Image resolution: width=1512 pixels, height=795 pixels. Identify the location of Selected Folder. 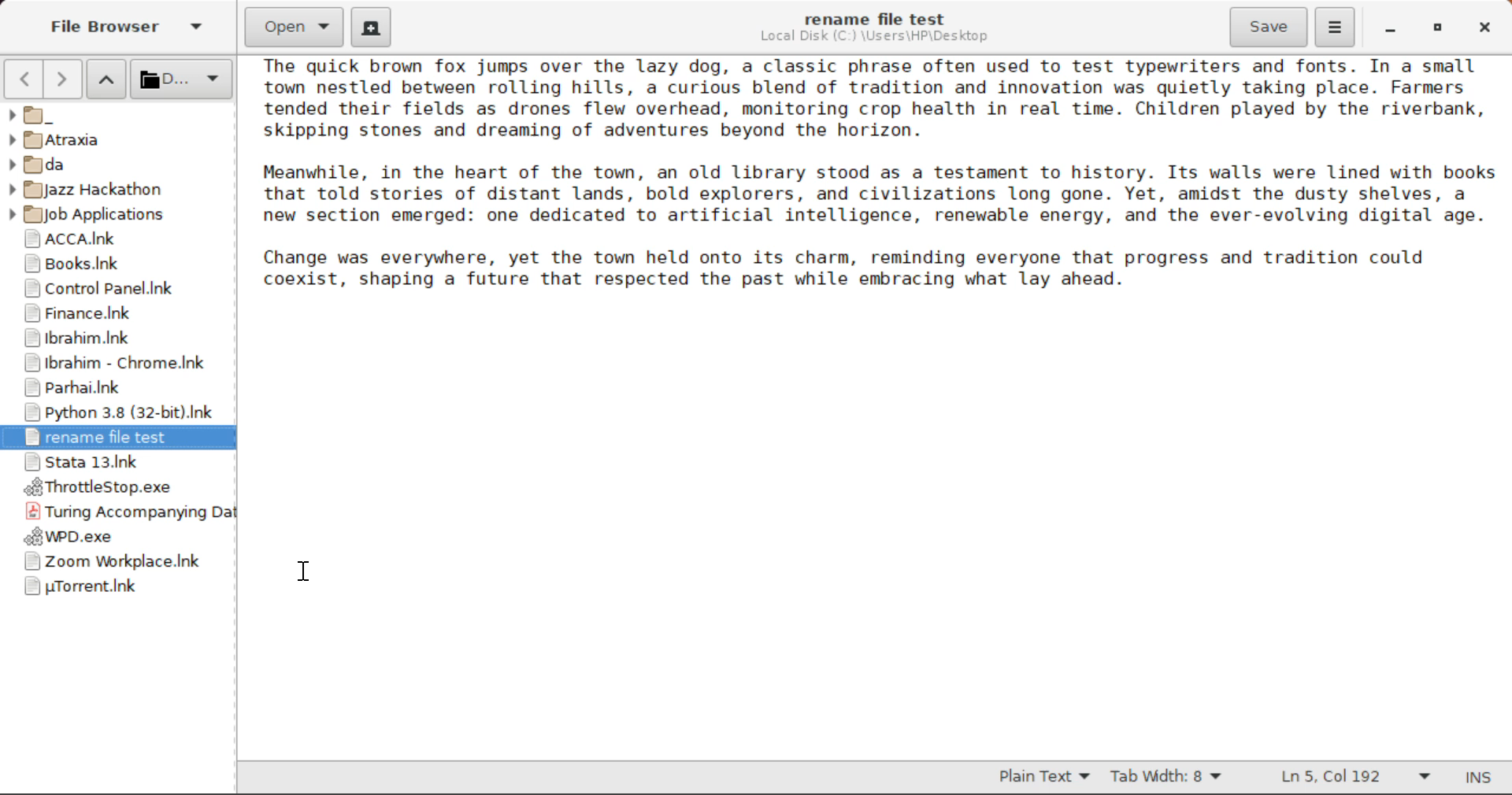
(180, 79).